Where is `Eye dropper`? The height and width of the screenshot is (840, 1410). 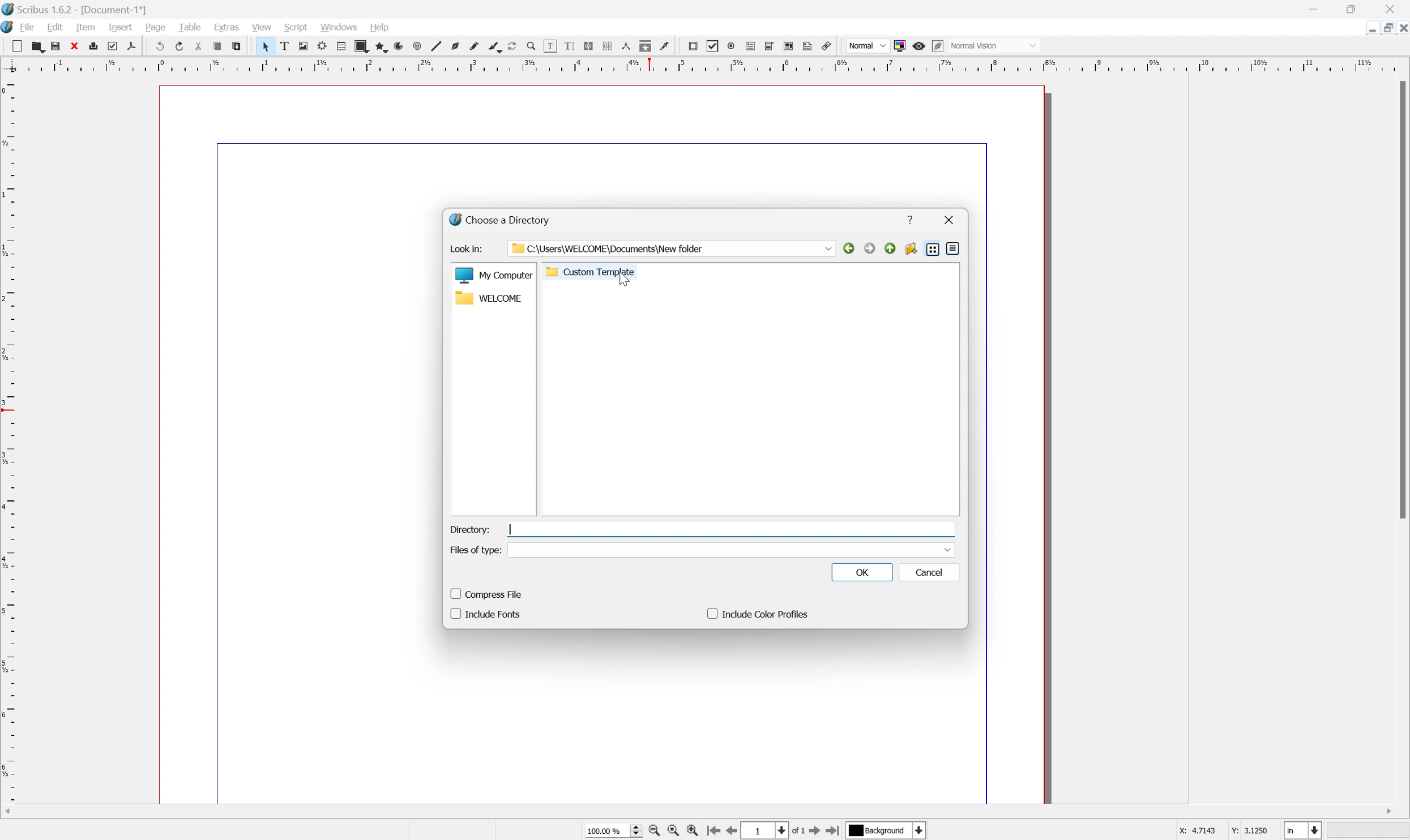 Eye dropper is located at coordinates (666, 46).